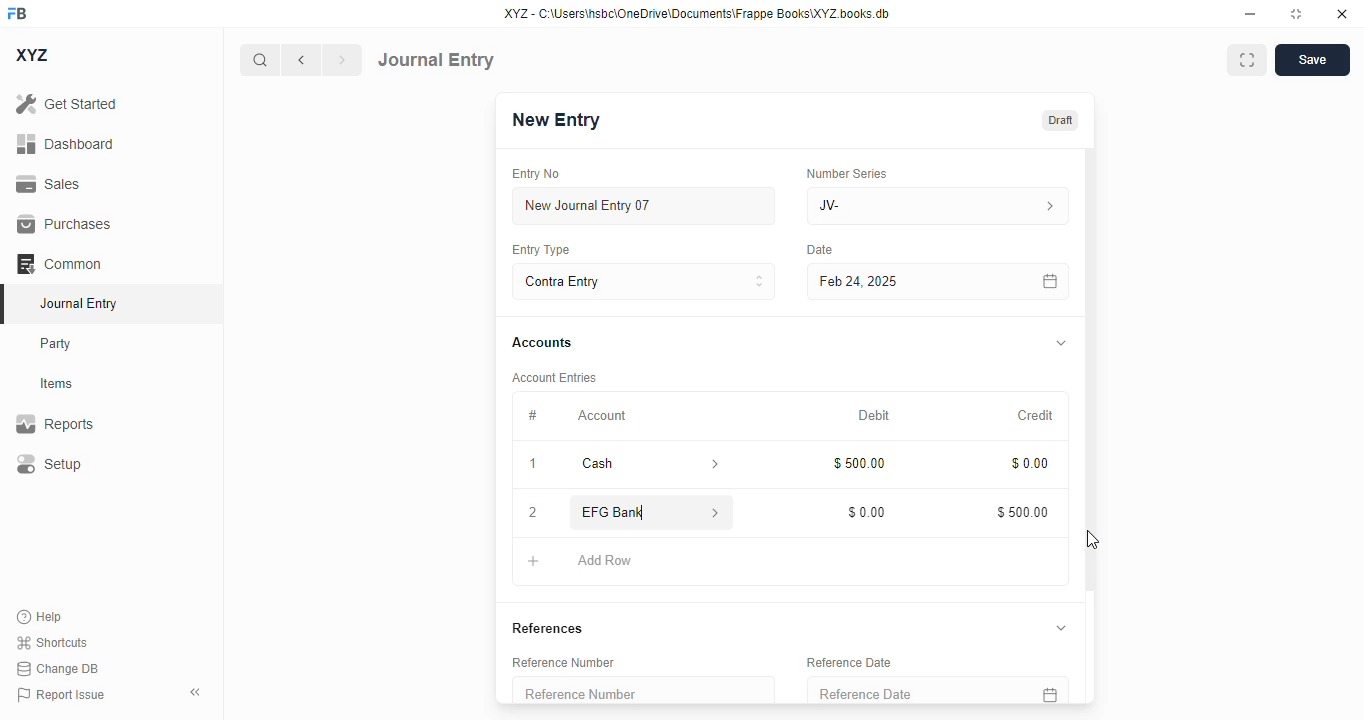 The image size is (1364, 720). I want to click on 2, so click(533, 513).